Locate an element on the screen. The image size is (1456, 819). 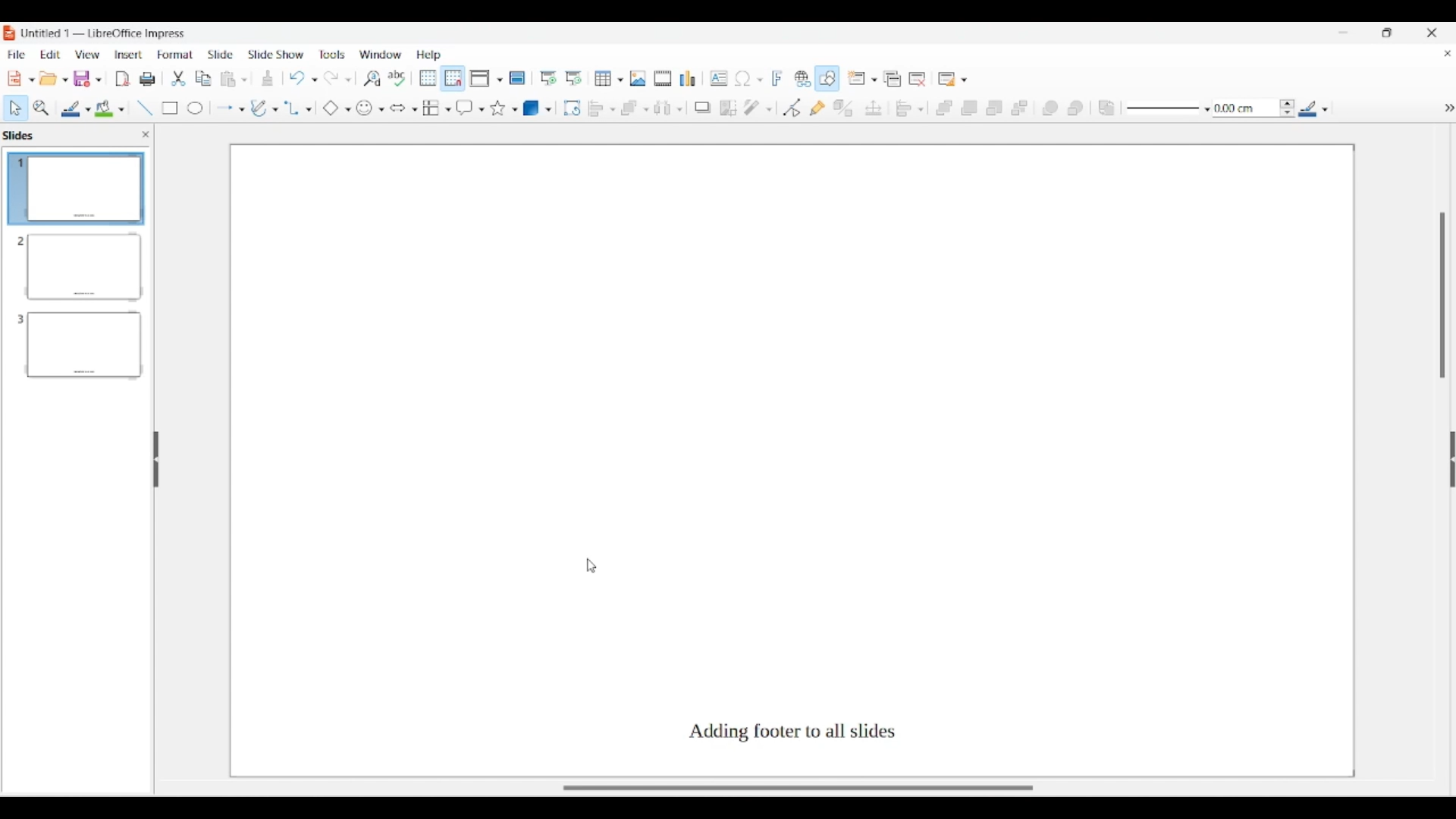
Help menu is located at coordinates (429, 55).